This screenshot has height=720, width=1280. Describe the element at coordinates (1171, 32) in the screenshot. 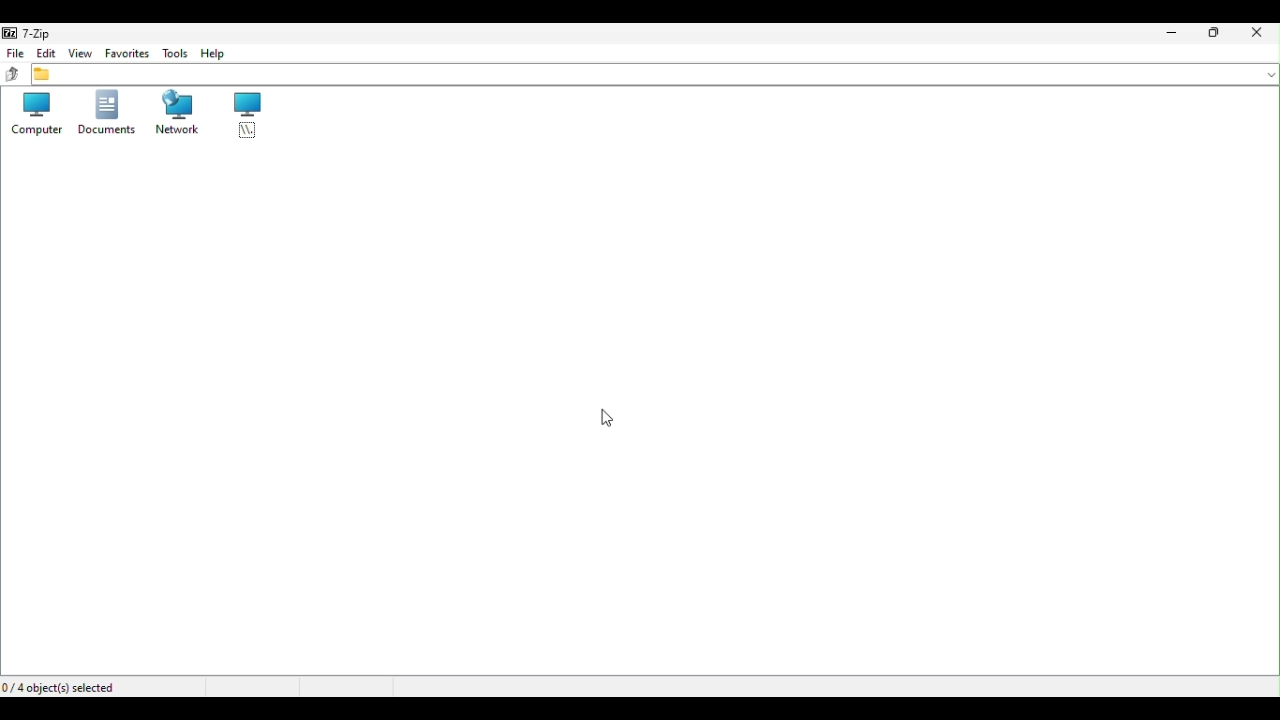

I see `Minimize` at that location.